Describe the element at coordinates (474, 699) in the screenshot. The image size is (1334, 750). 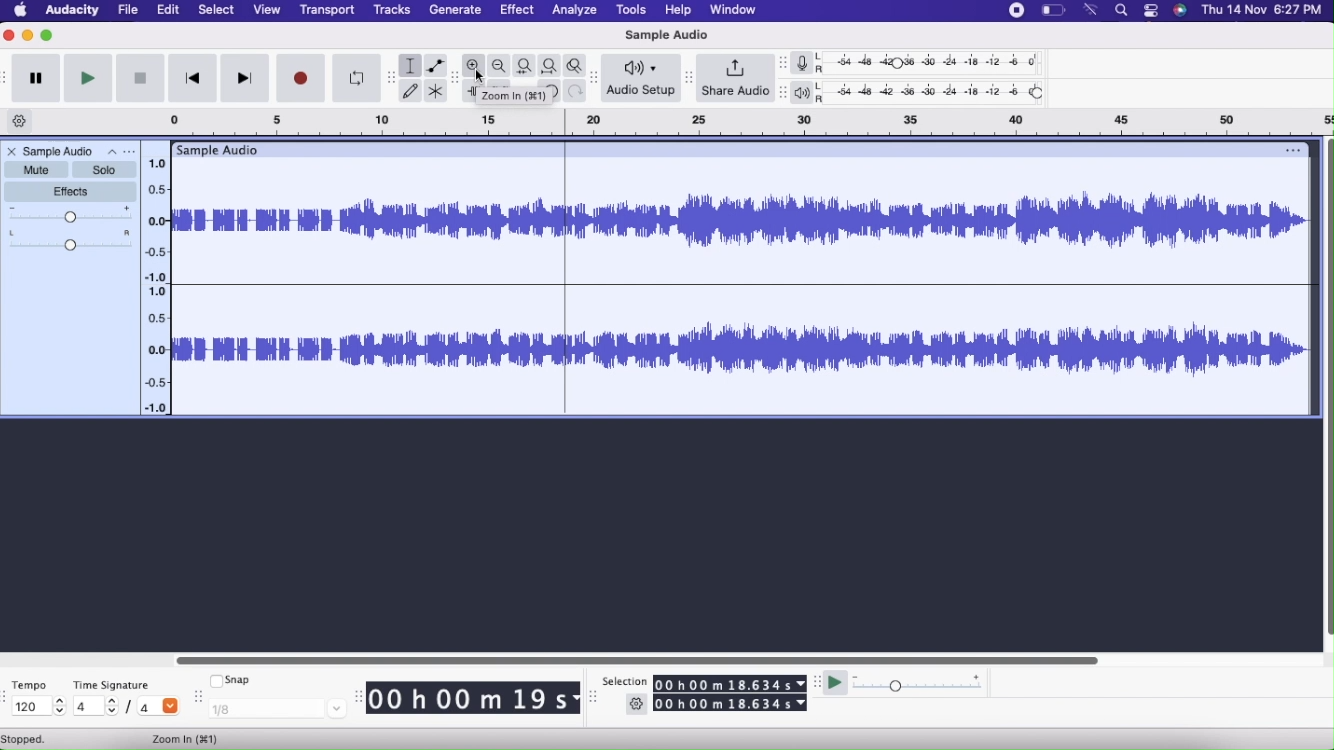
I see `00 h 00 m 19 s` at that location.